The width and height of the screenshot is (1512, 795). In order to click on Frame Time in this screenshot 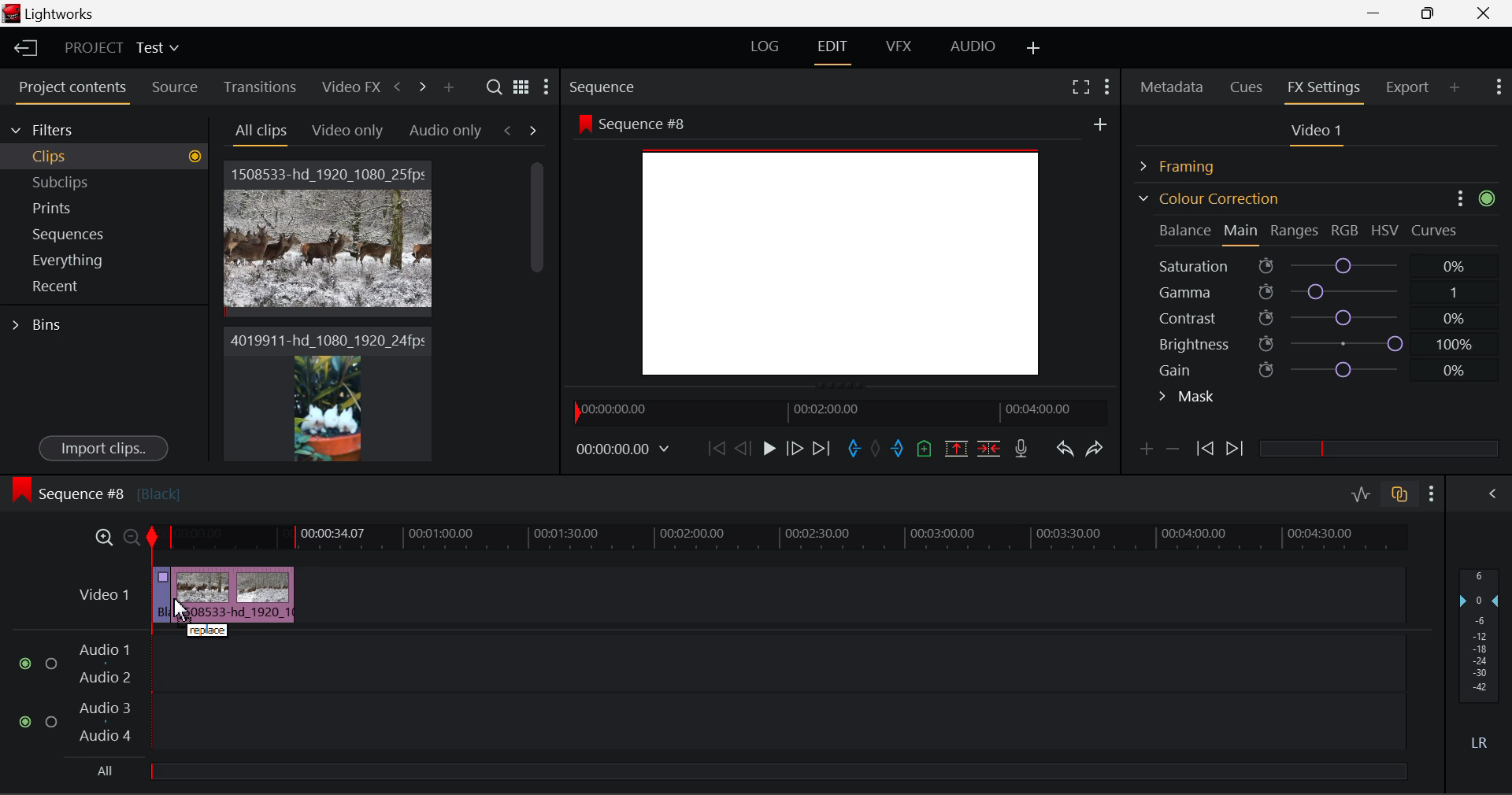, I will do `click(624, 450)`.